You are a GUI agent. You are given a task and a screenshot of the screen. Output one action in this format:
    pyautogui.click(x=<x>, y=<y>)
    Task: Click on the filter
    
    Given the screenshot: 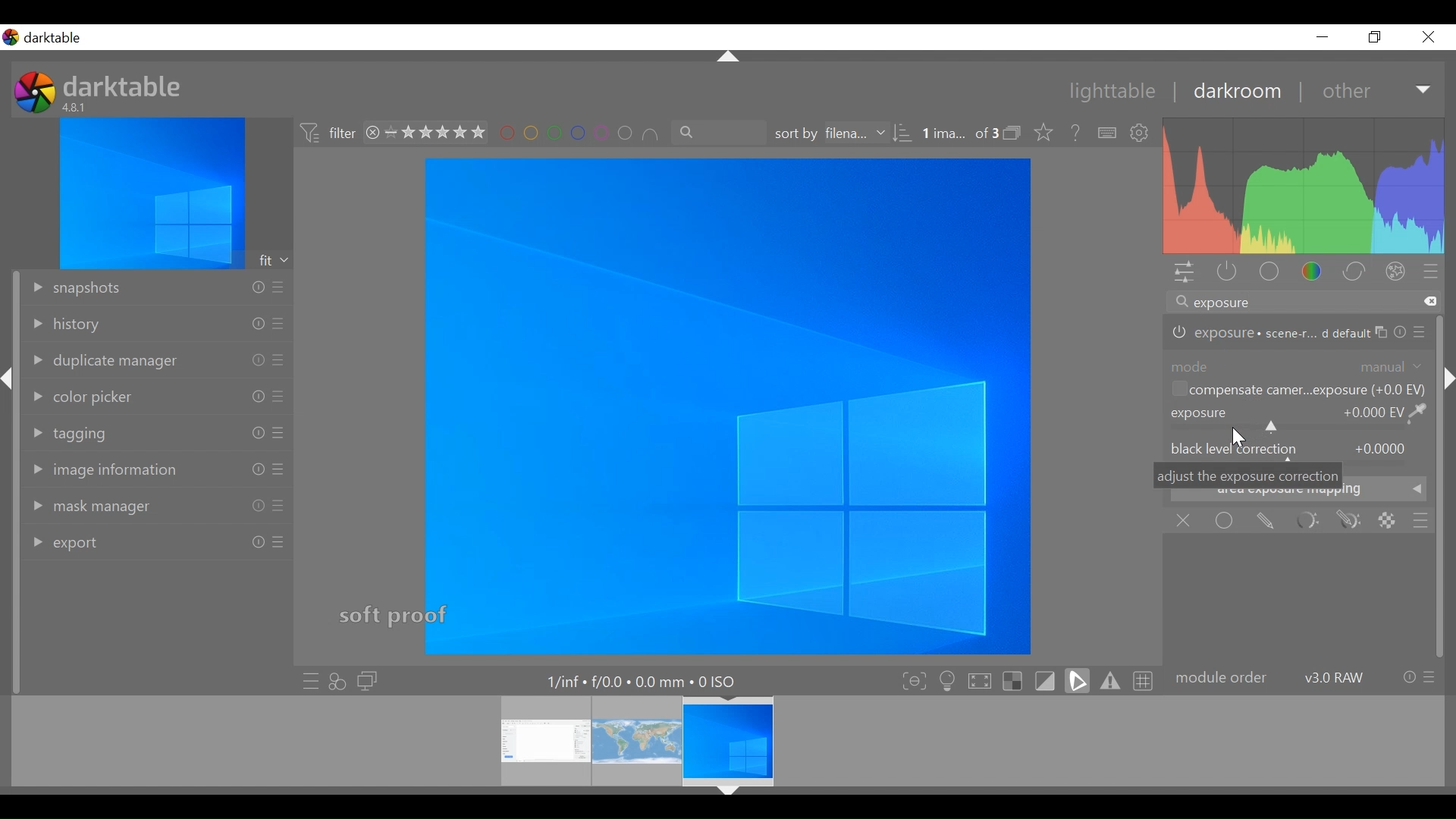 What is the action you would take?
    pyautogui.click(x=326, y=134)
    